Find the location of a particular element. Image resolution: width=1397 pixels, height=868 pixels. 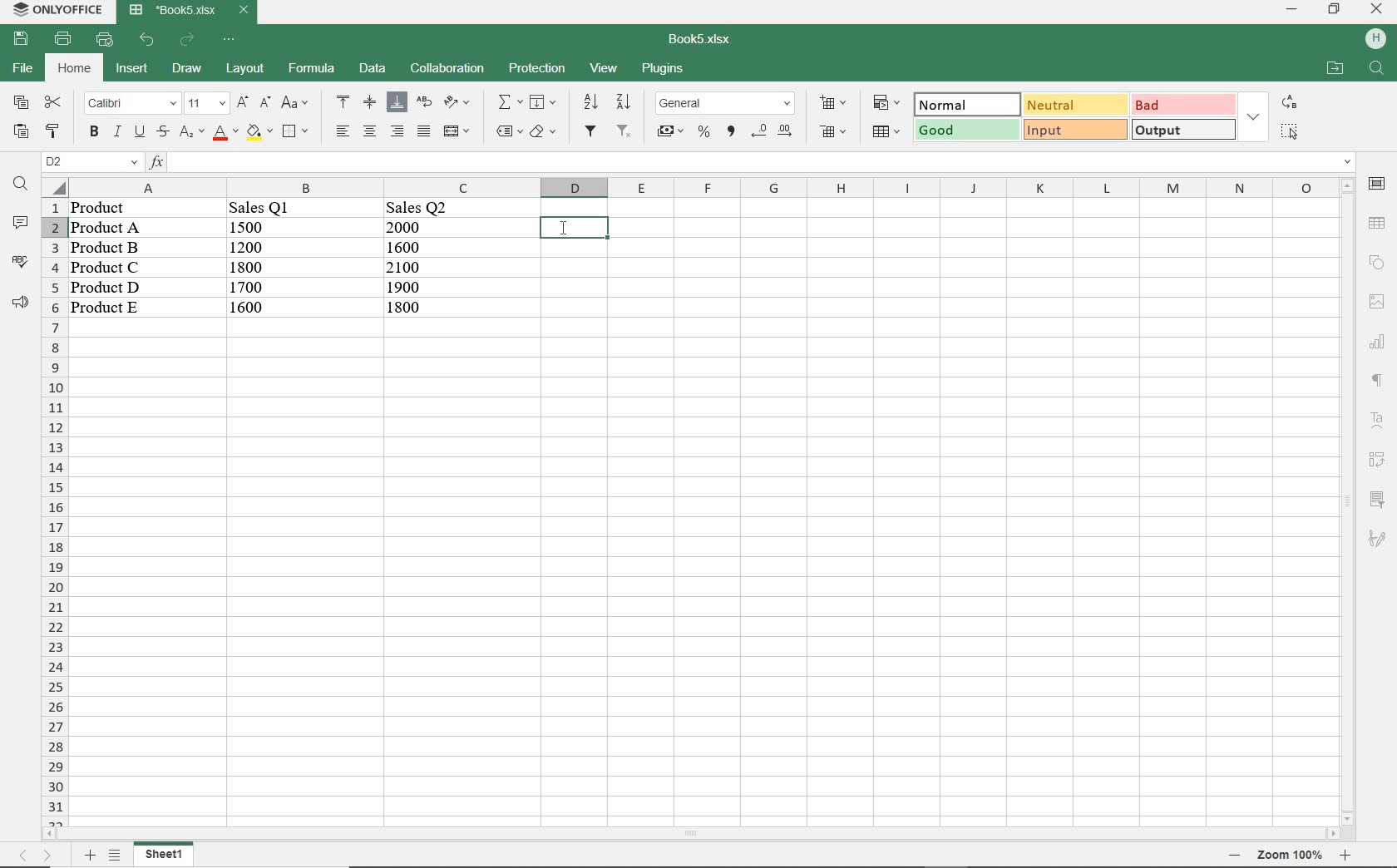

view is located at coordinates (604, 68).